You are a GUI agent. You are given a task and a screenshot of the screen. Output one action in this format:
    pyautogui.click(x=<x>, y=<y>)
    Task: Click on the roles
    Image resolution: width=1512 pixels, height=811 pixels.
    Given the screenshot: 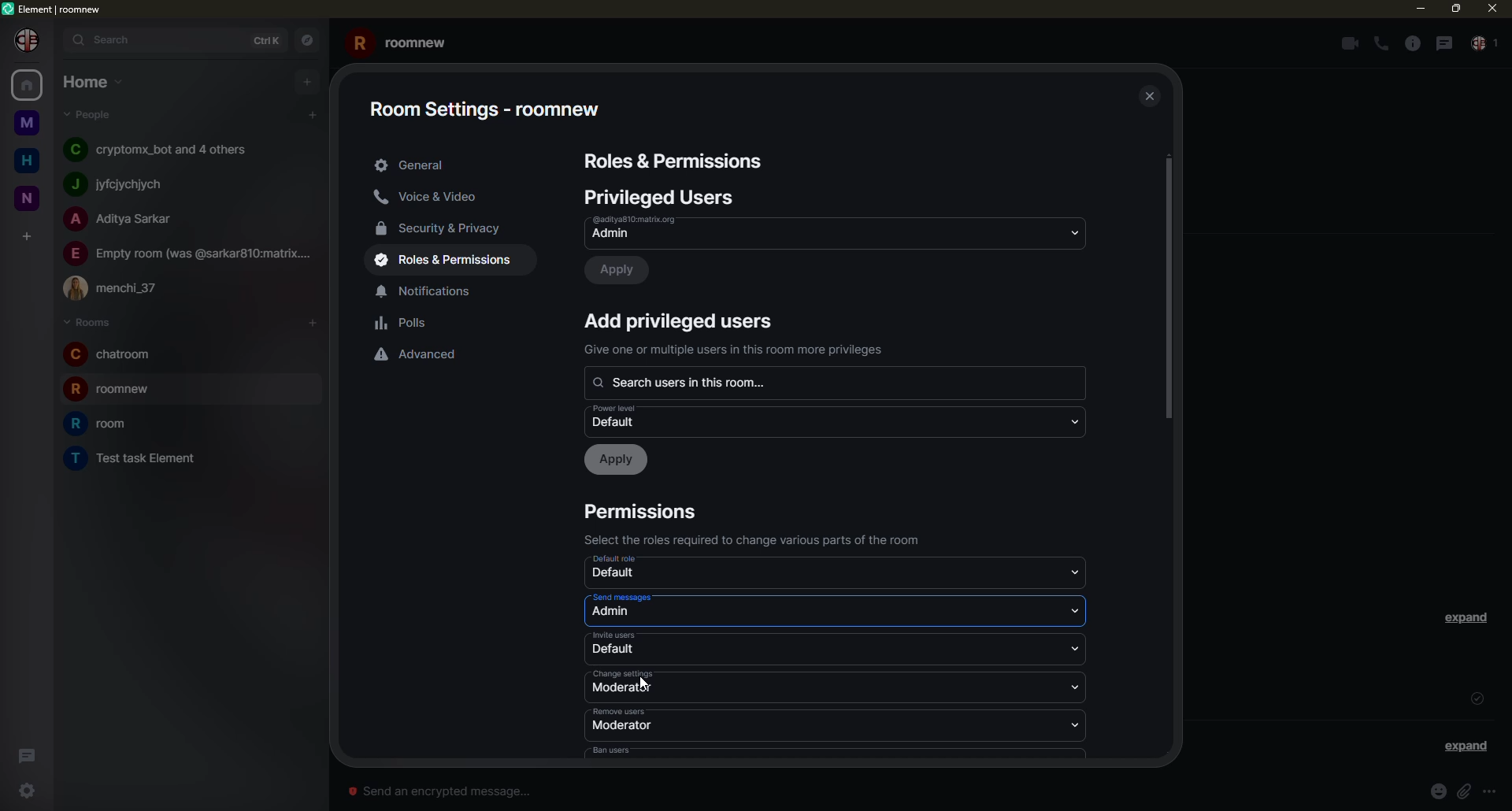 What is the action you would take?
    pyautogui.click(x=676, y=162)
    